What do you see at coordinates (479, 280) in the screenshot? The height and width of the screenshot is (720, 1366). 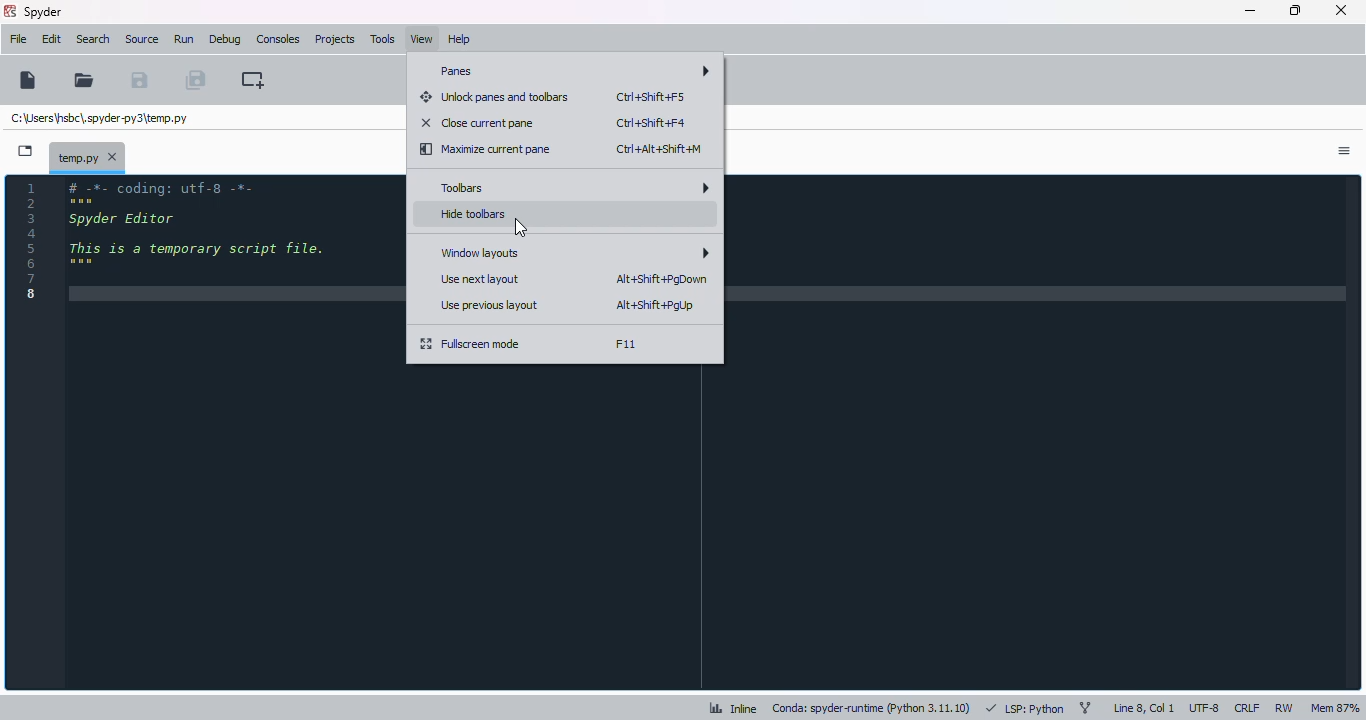 I see `use next layout` at bounding box center [479, 280].